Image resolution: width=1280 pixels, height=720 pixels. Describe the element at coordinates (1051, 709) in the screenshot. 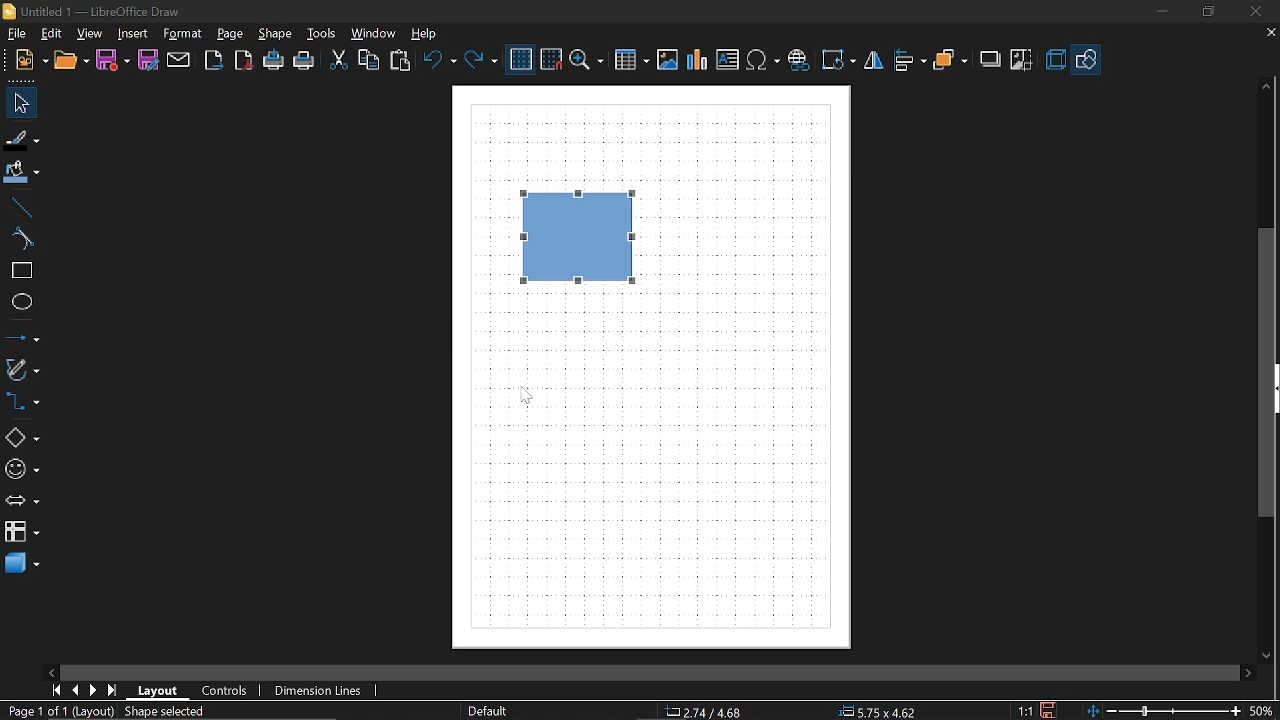

I see `Save` at that location.